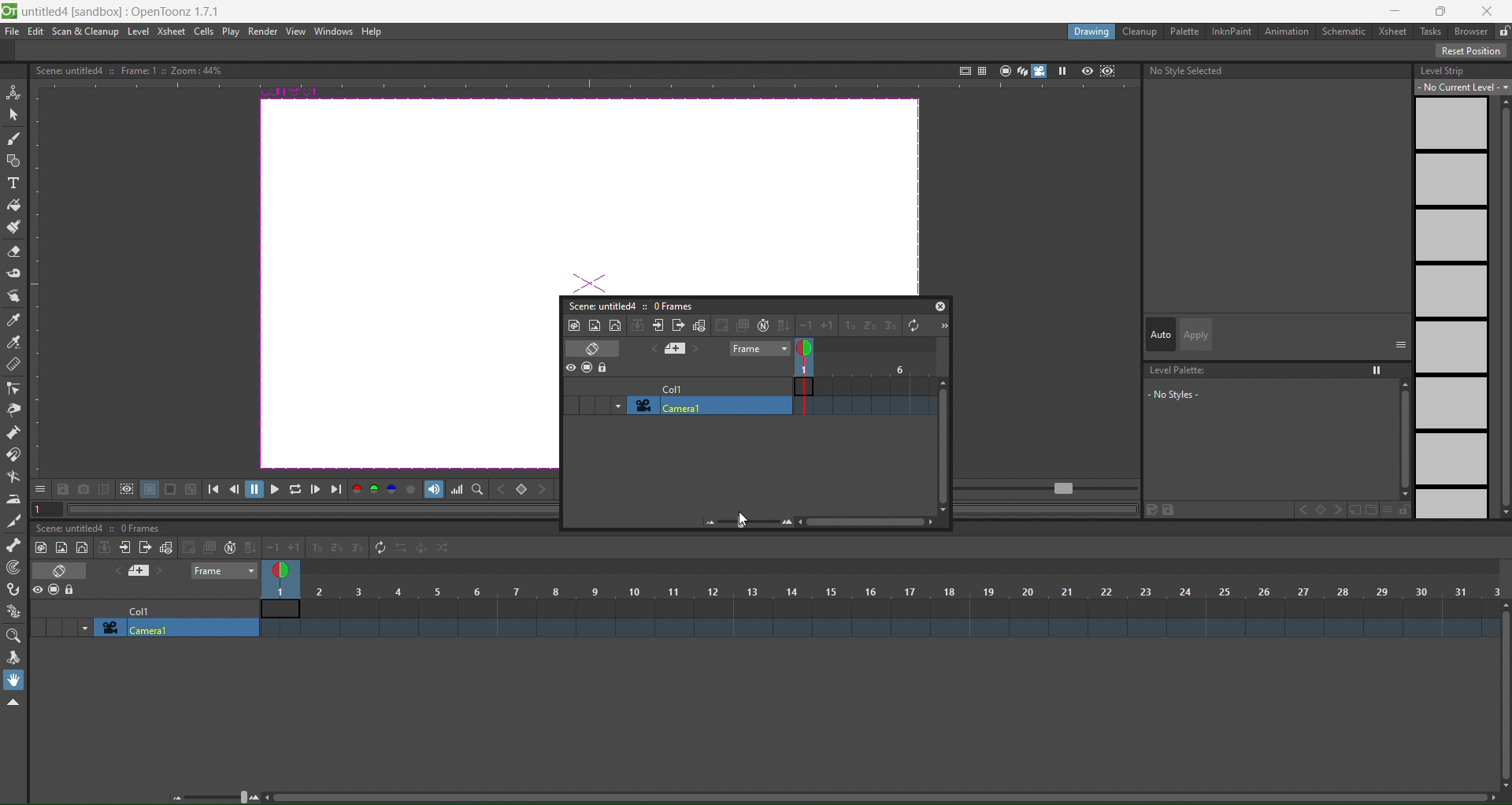 The height and width of the screenshot is (805, 1512). What do you see at coordinates (15, 568) in the screenshot?
I see `tracker tool` at bounding box center [15, 568].